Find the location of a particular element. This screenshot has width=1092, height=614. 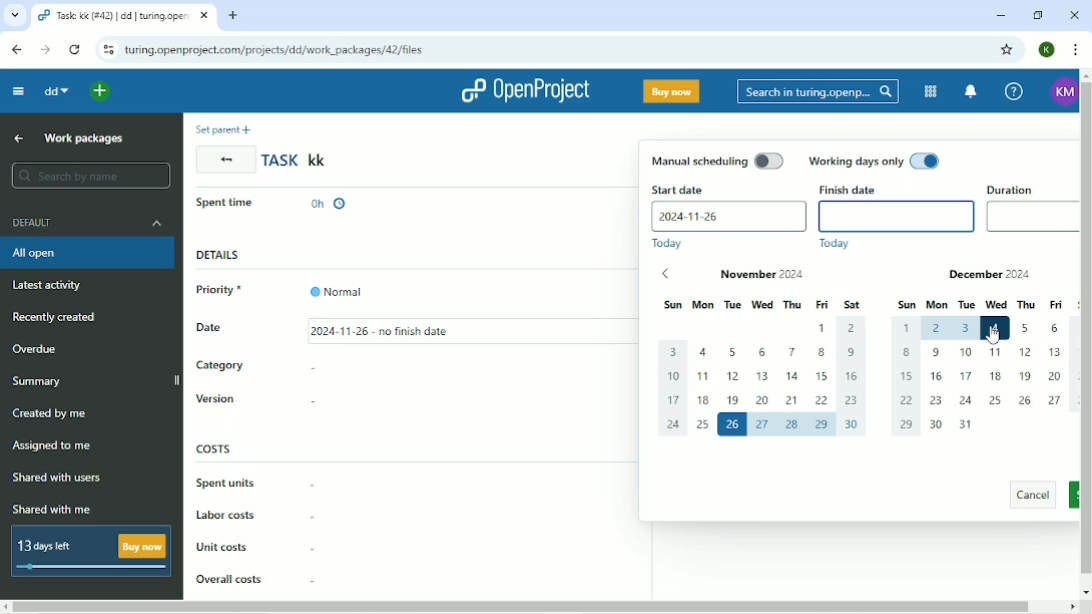

Date is located at coordinates (223, 331).